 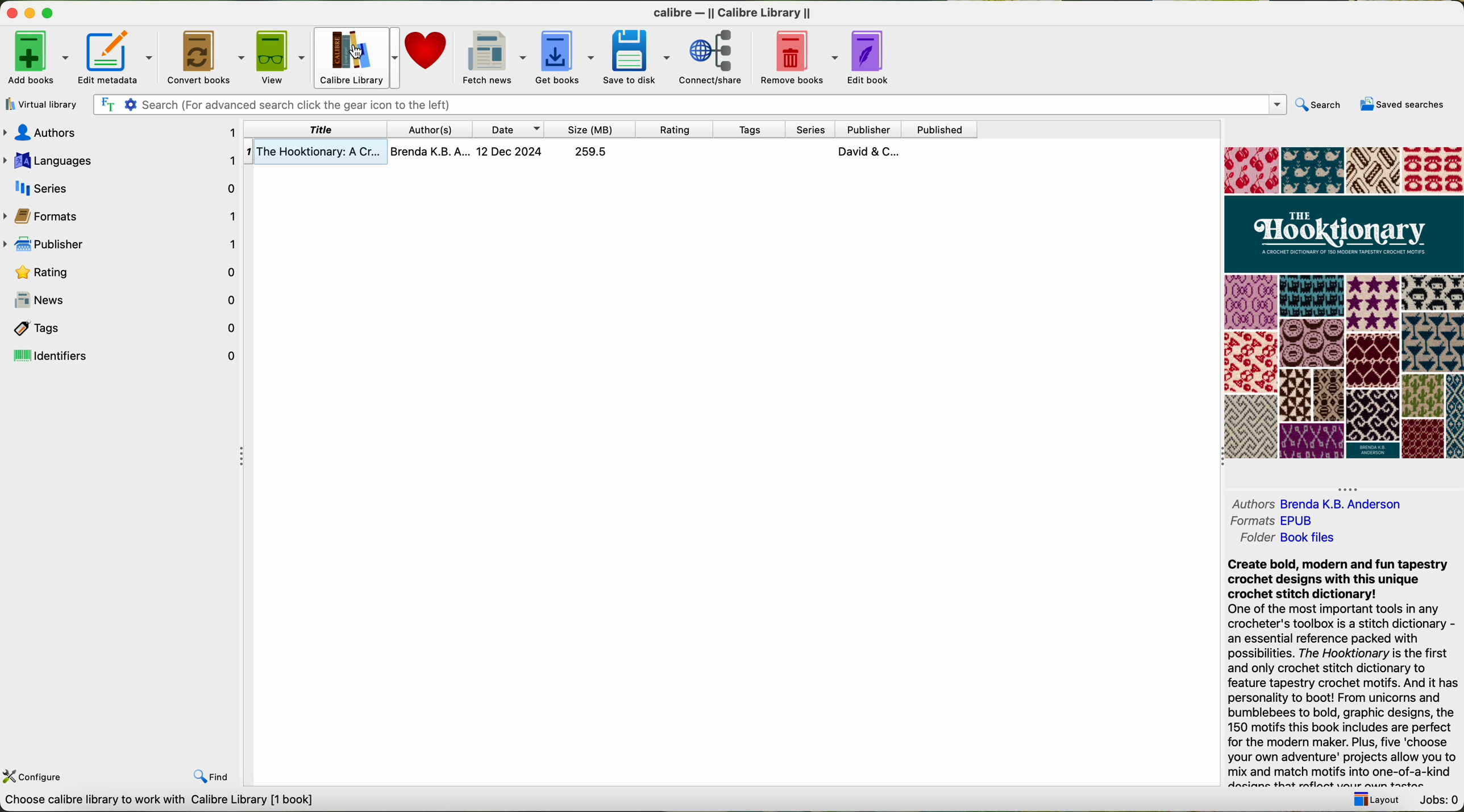 What do you see at coordinates (638, 57) in the screenshot?
I see `save to disk` at bounding box center [638, 57].